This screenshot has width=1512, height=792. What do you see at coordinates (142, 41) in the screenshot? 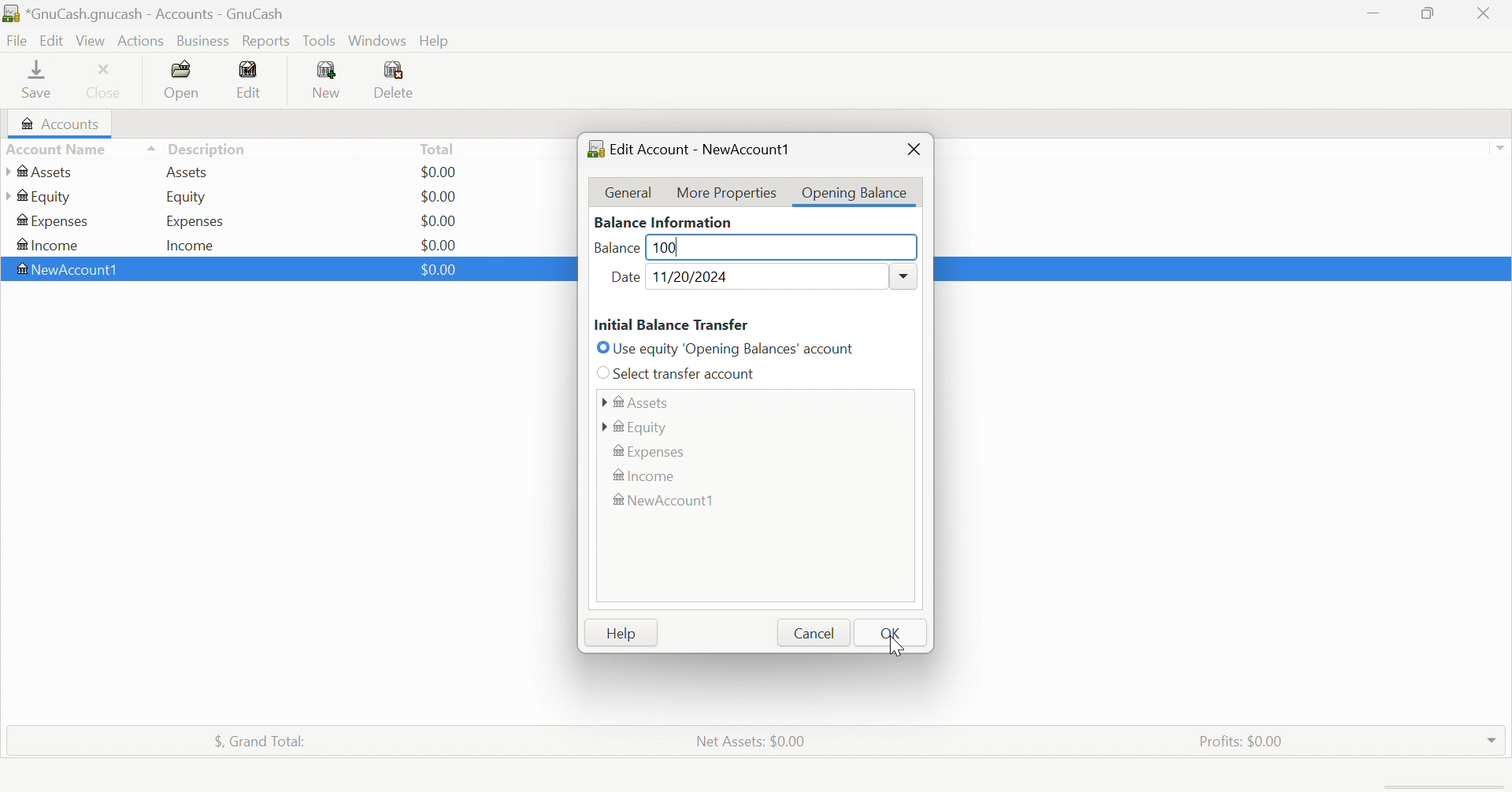
I see `Actions` at bounding box center [142, 41].